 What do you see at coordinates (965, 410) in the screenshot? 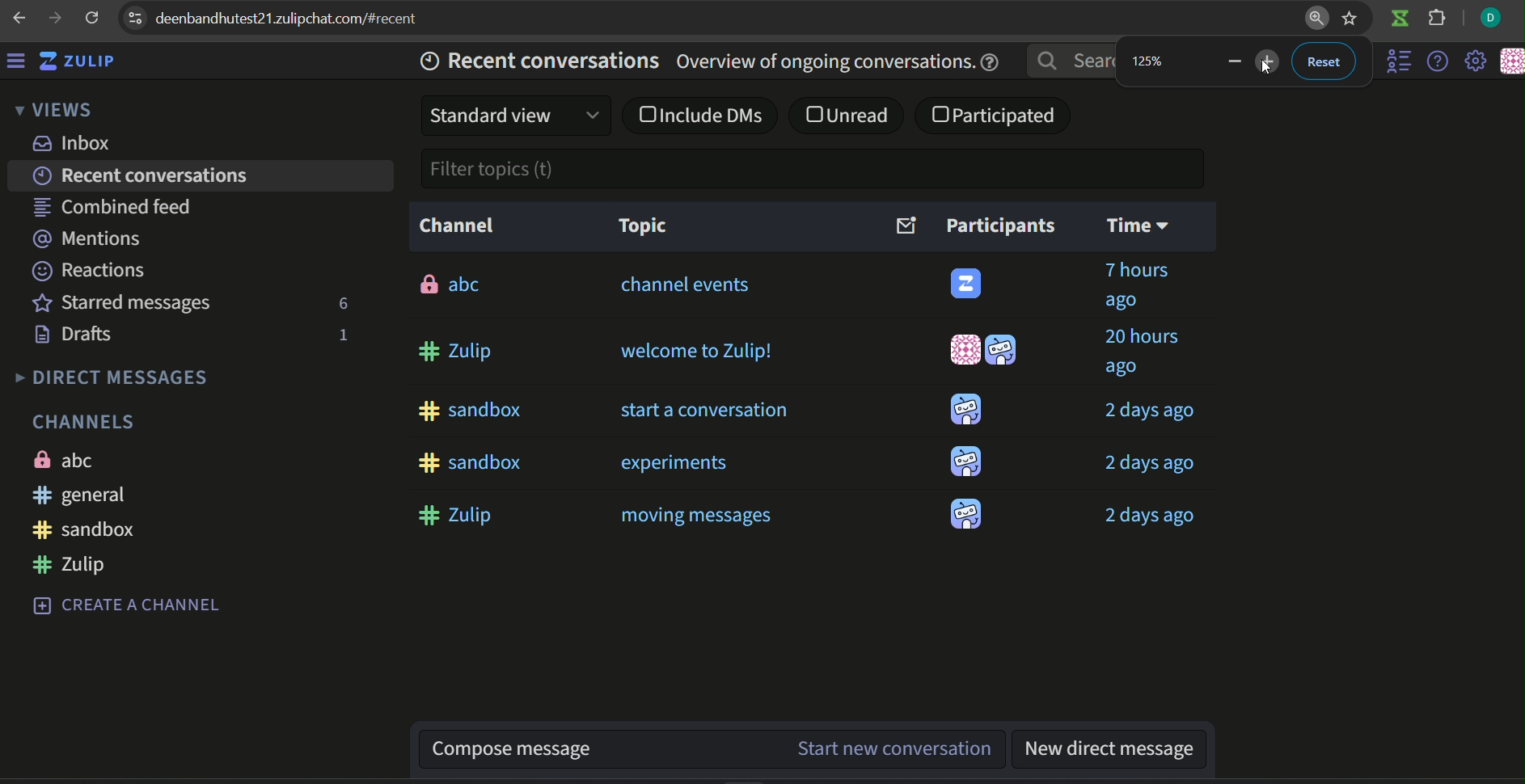
I see `icon` at bounding box center [965, 410].